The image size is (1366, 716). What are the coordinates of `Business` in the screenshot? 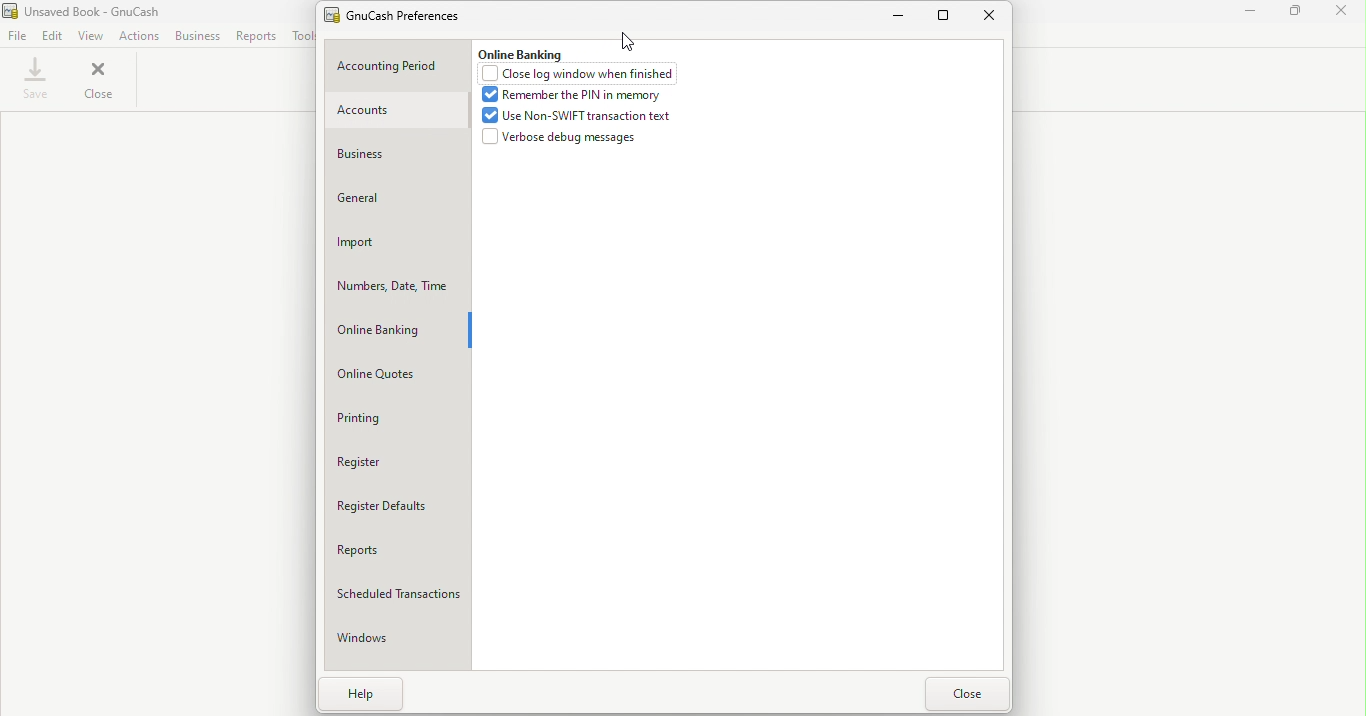 It's located at (396, 154).